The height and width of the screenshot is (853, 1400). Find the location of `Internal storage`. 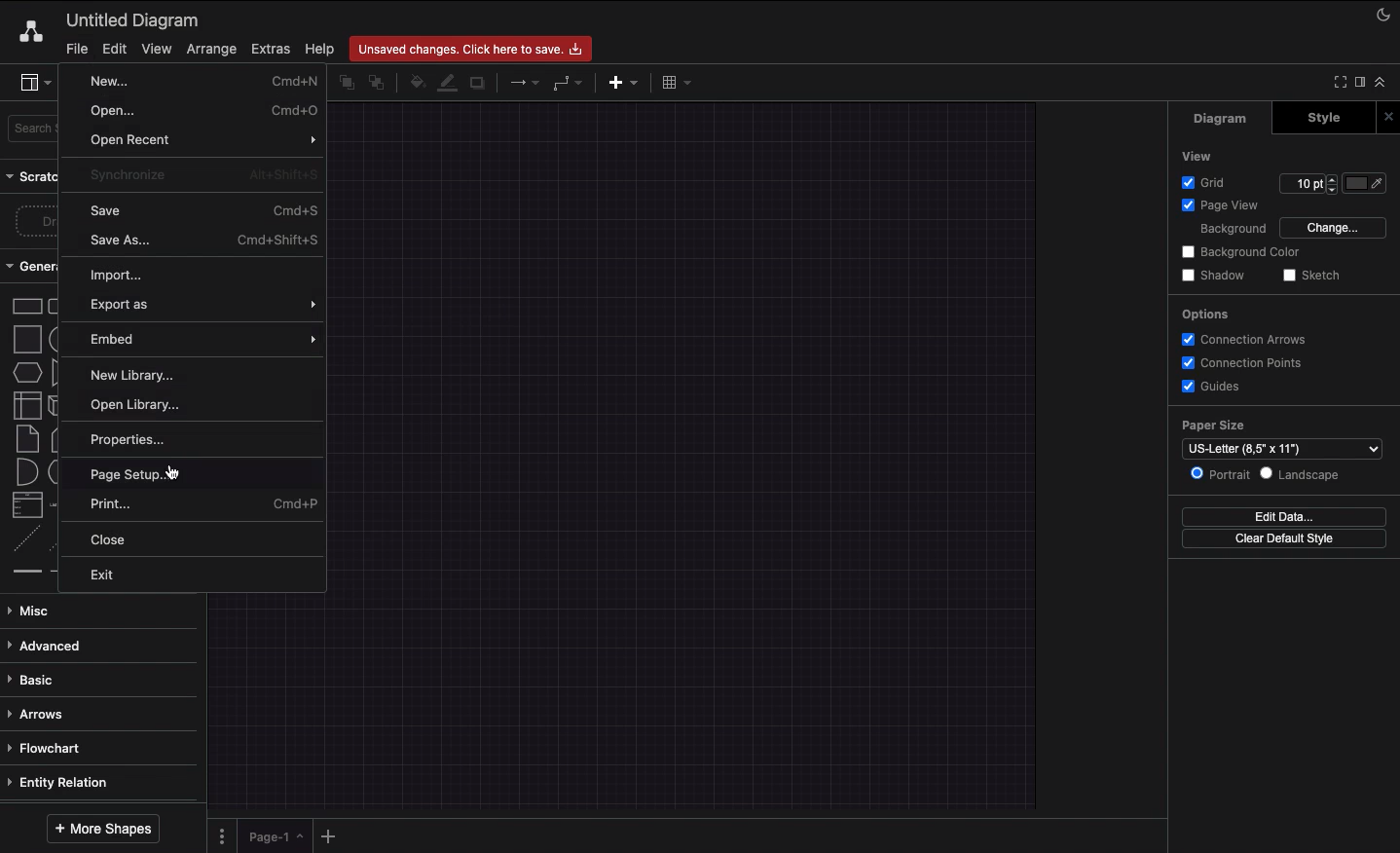

Internal storage is located at coordinates (26, 404).